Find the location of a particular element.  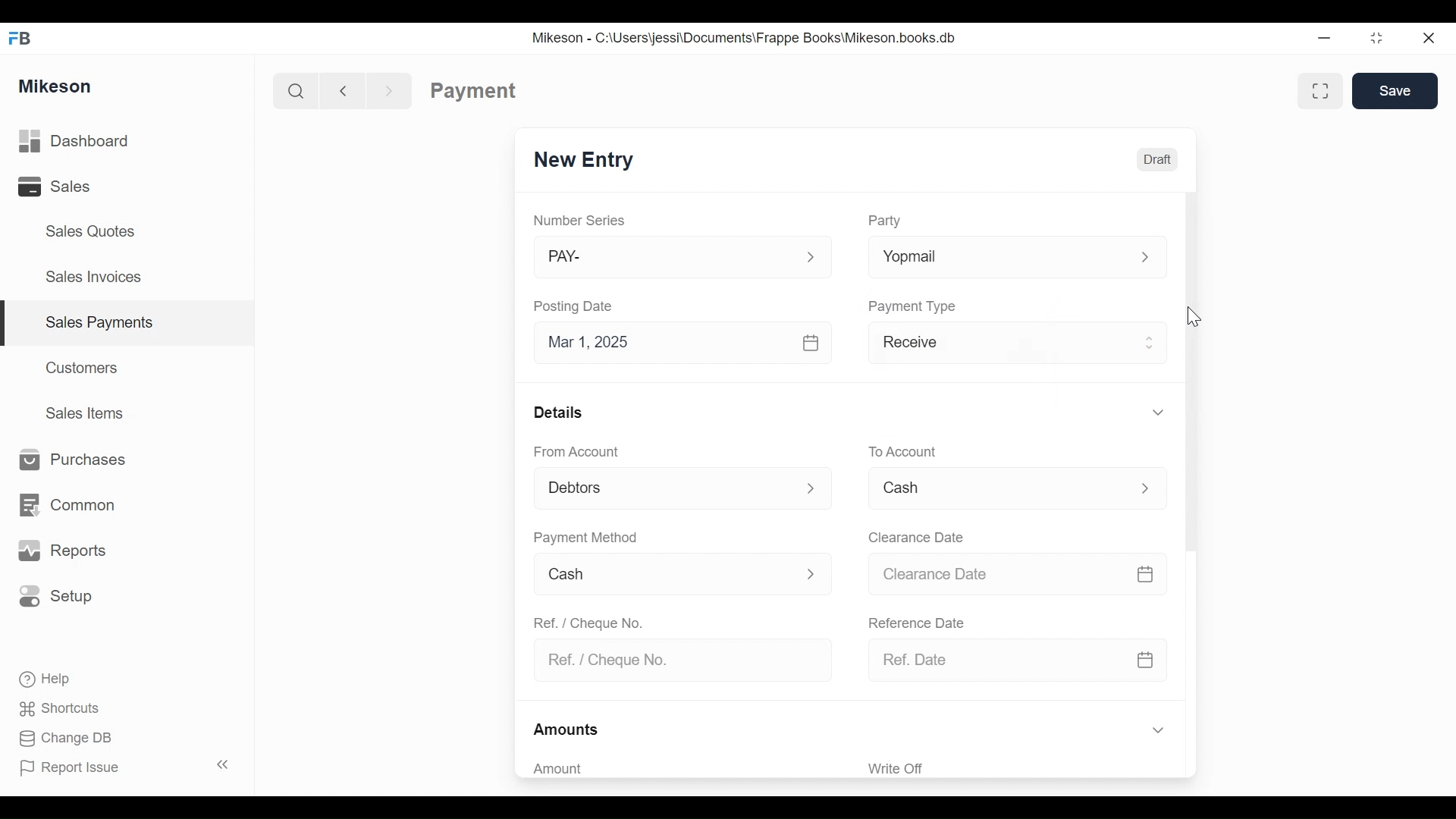

Setup is located at coordinates (61, 597).